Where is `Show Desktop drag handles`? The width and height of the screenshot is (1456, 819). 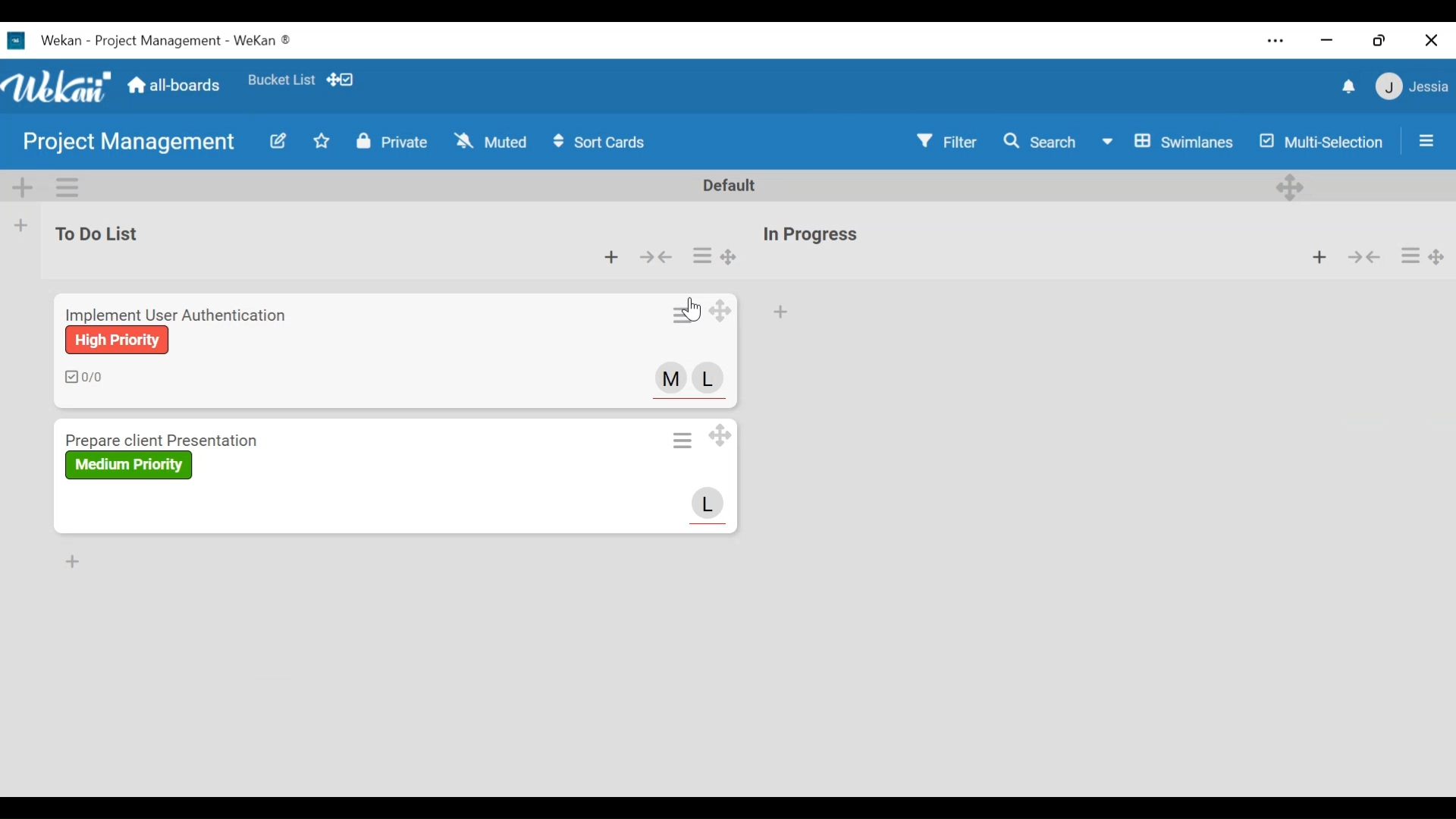
Show Desktop drag handles is located at coordinates (342, 80).